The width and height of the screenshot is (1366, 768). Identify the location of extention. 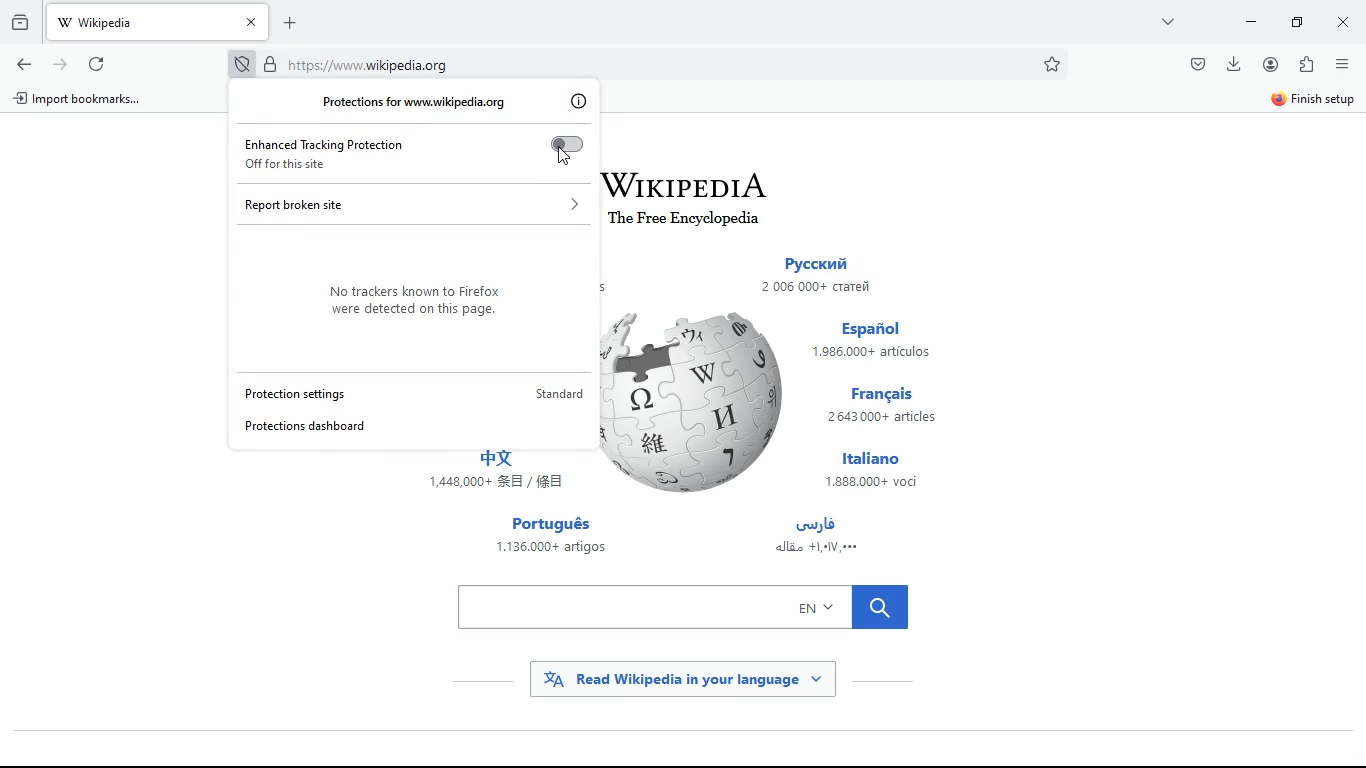
(1308, 64).